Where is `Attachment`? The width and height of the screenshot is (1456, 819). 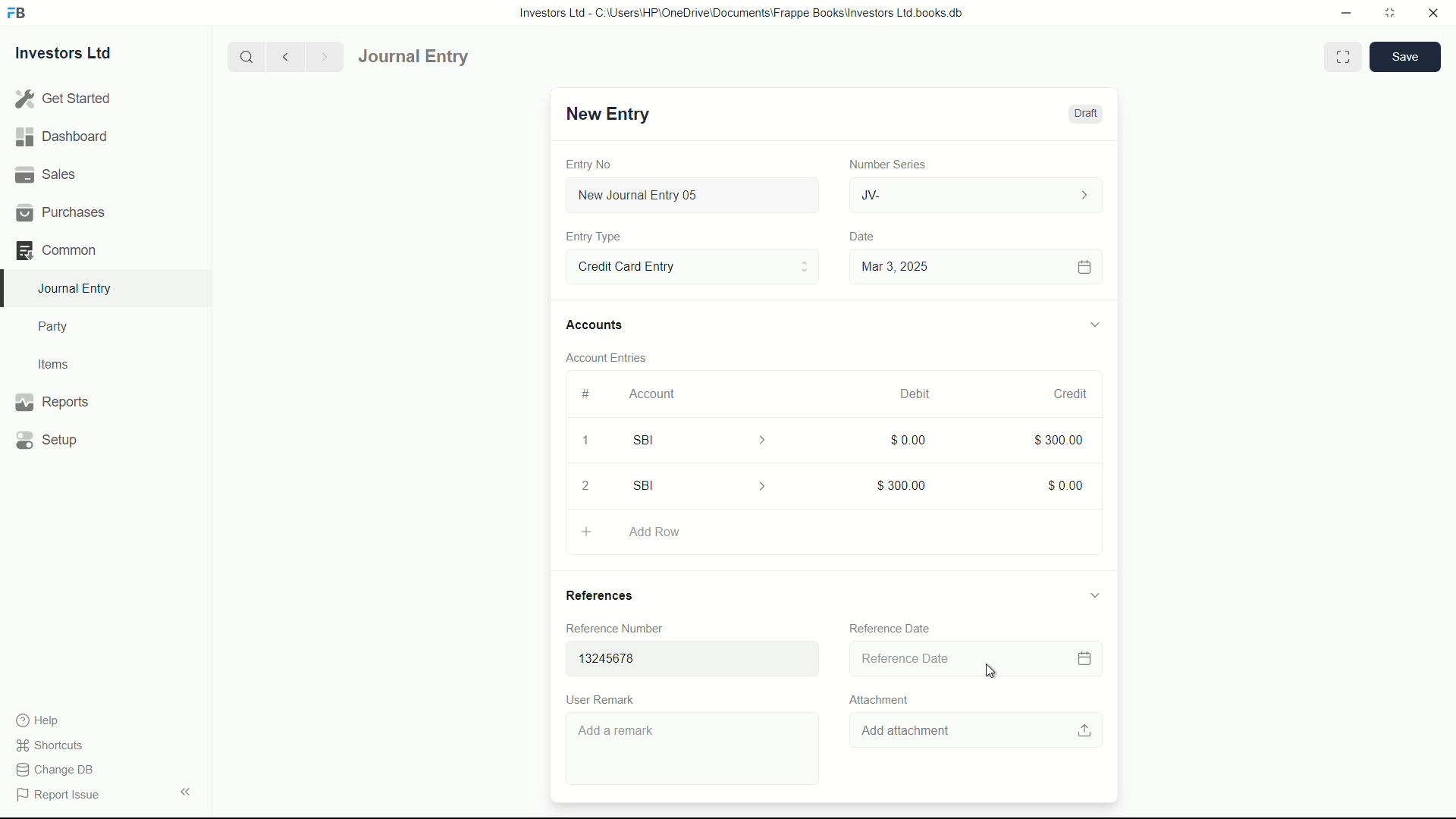 Attachment is located at coordinates (878, 699).